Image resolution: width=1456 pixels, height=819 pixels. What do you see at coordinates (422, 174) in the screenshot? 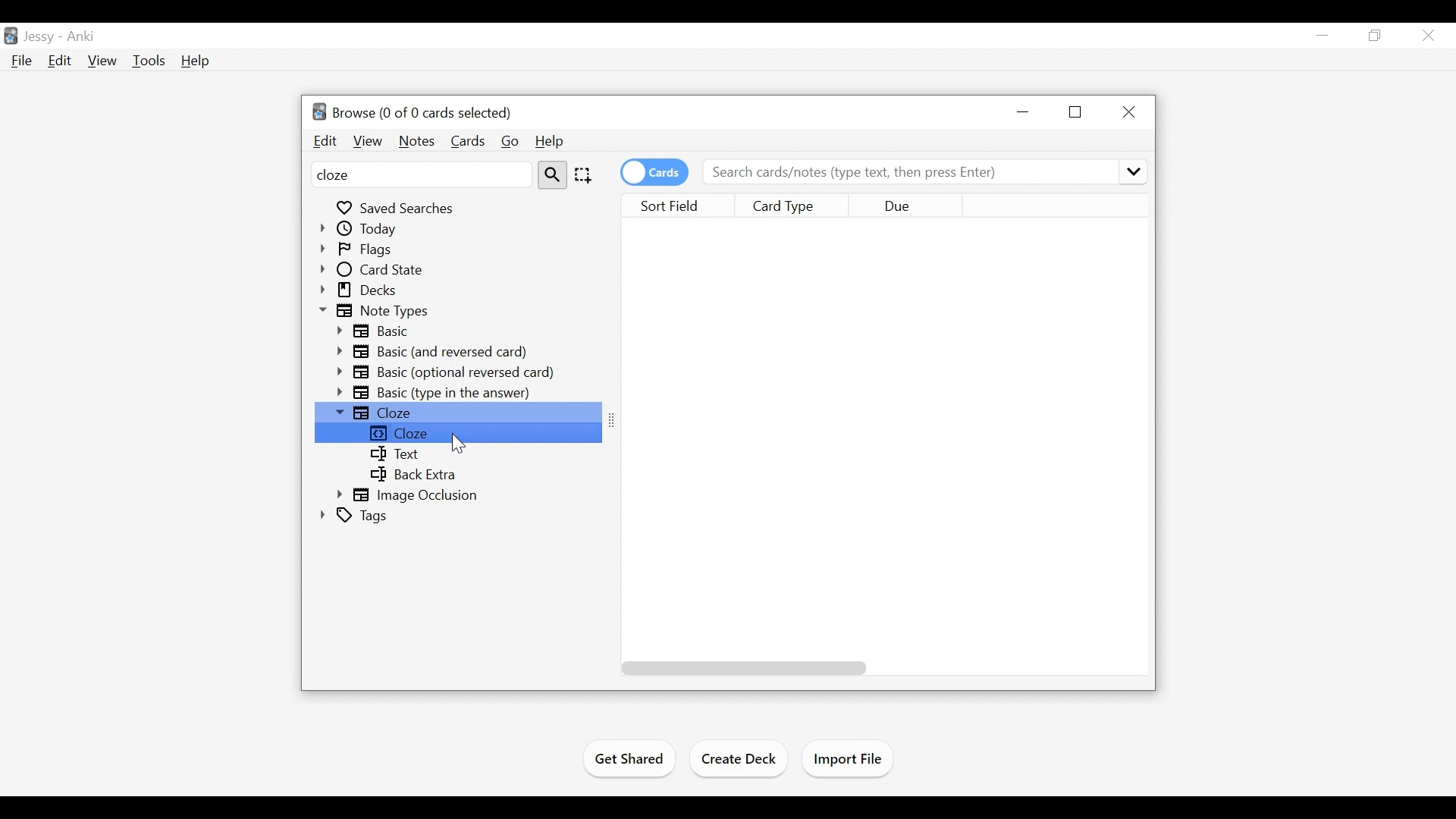
I see `Sidebar Filter` at bounding box center [422, 174].